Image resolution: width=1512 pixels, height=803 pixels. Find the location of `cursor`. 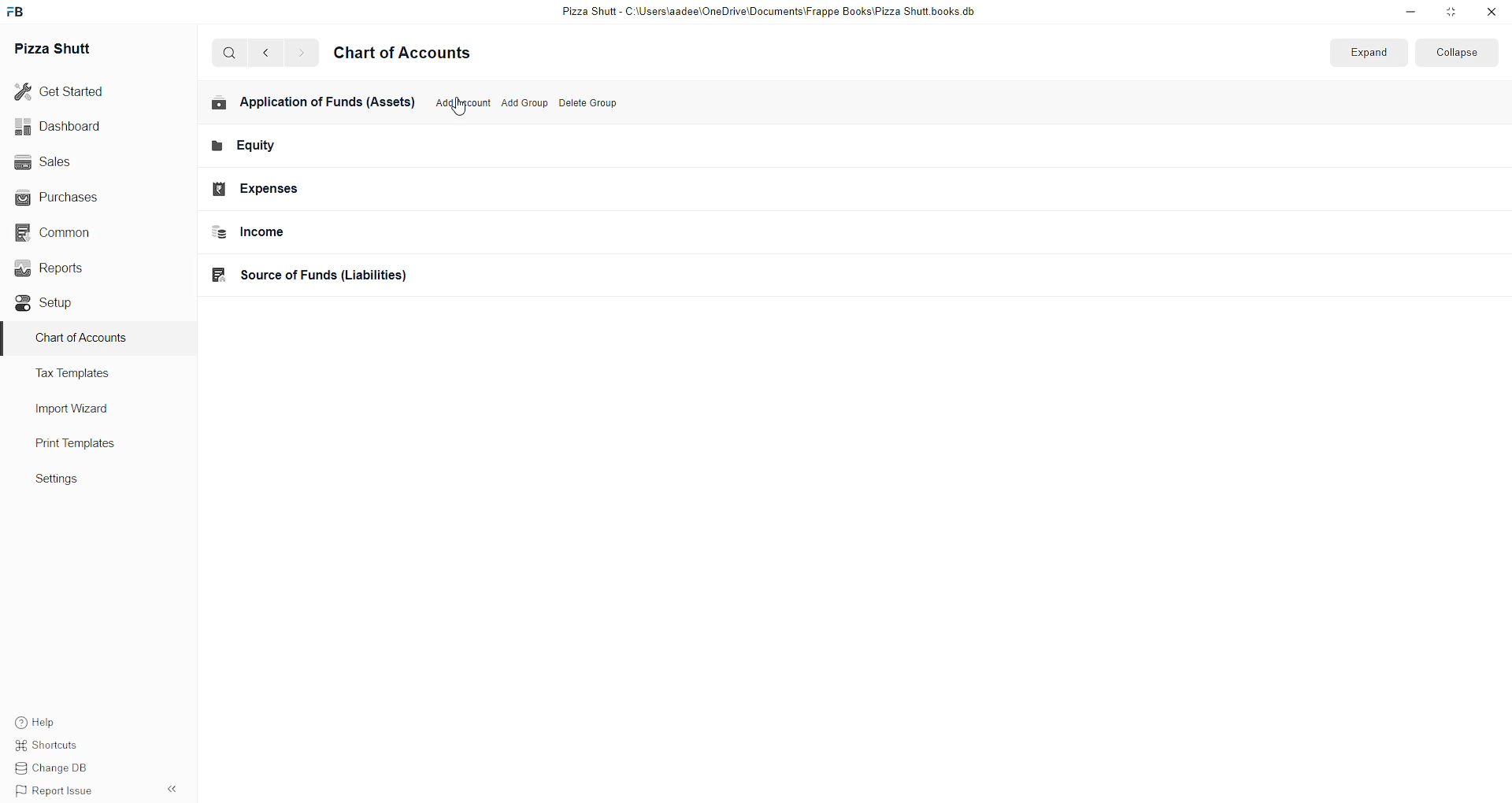

cursor is located at coordinates (460, 108).